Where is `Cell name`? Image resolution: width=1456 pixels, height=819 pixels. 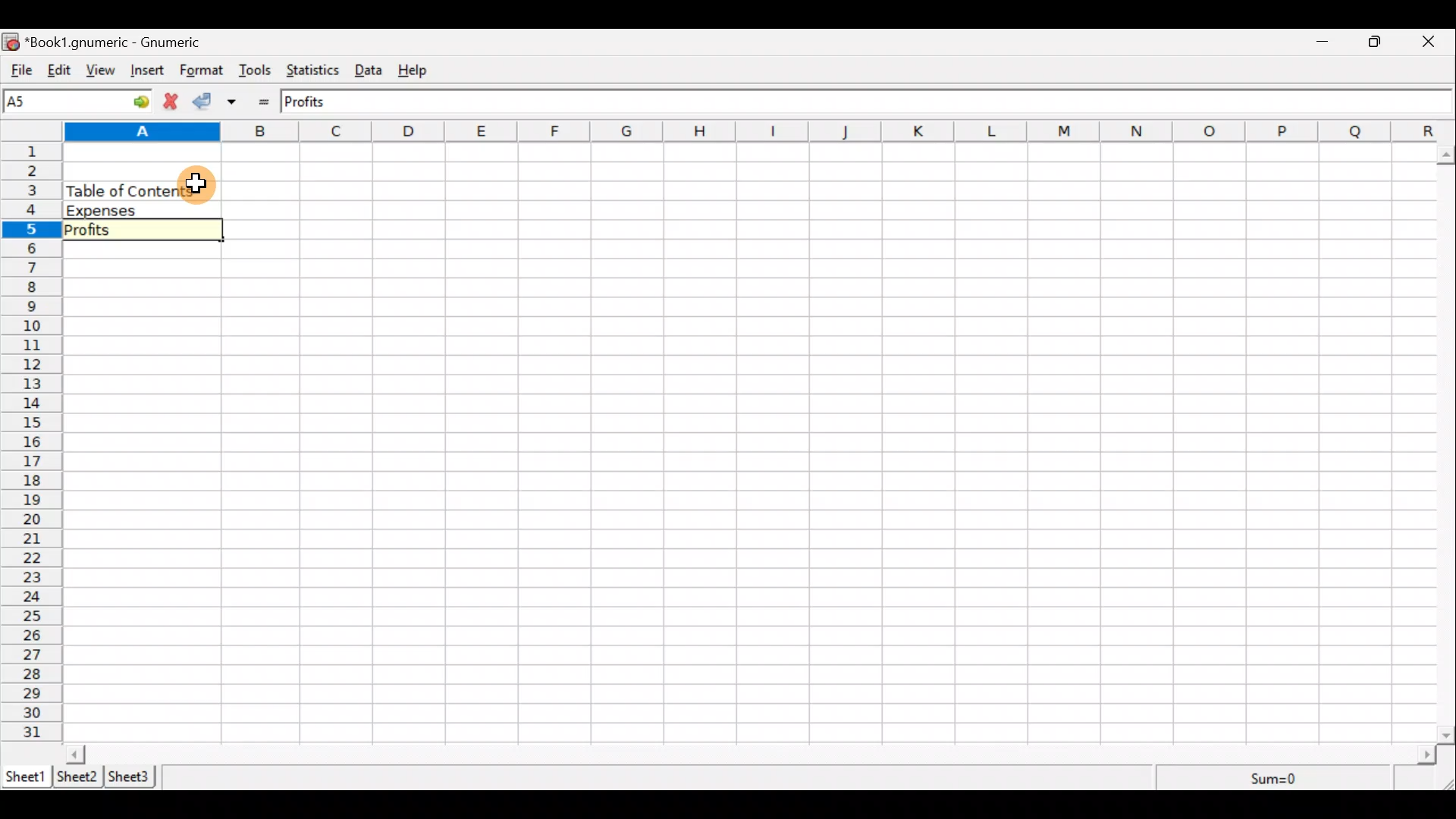
Cell name is located at coordinates (78, 101).